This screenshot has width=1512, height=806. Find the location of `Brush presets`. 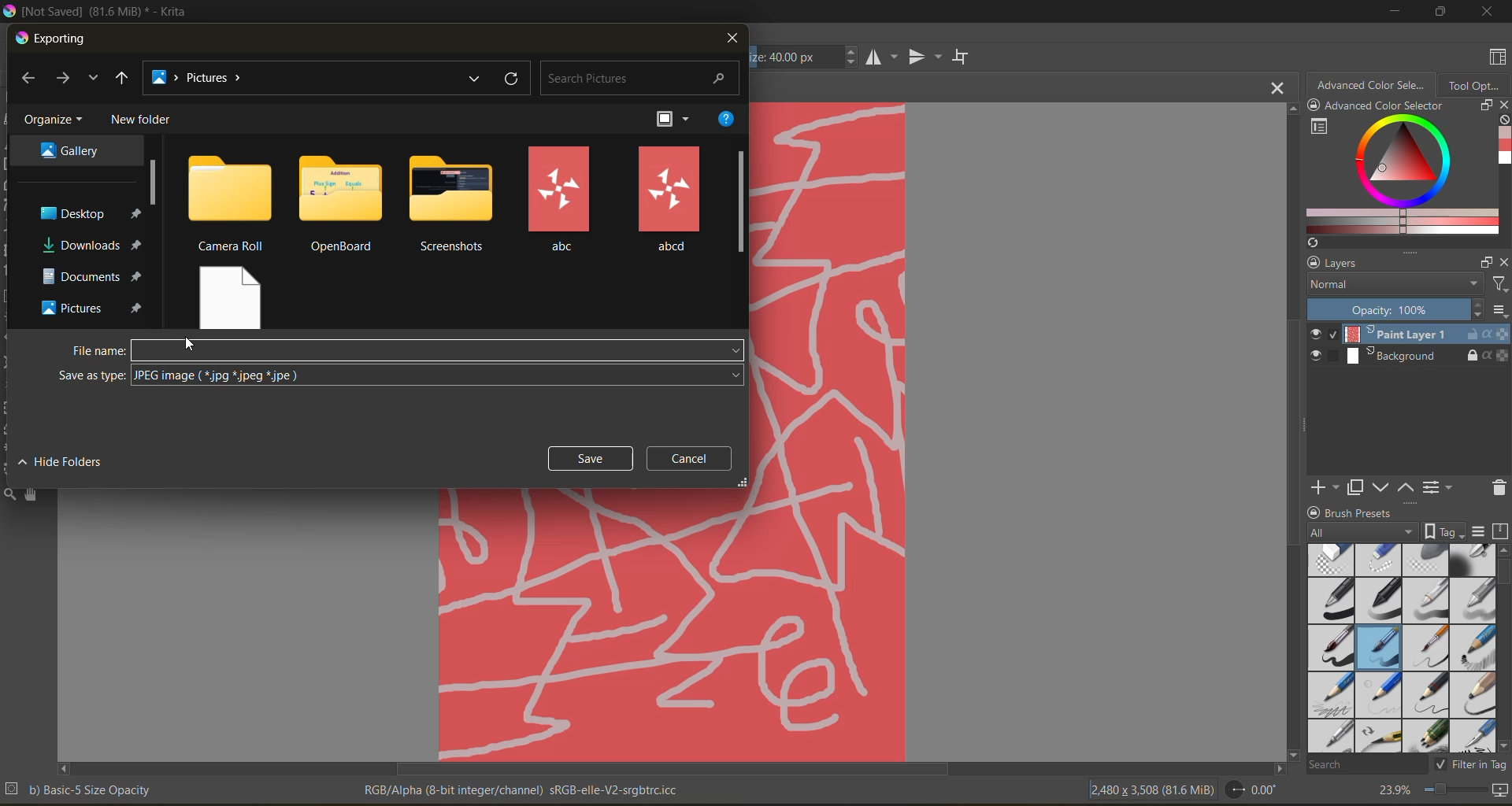

Brush presets is located at coordinates (1366, 511).